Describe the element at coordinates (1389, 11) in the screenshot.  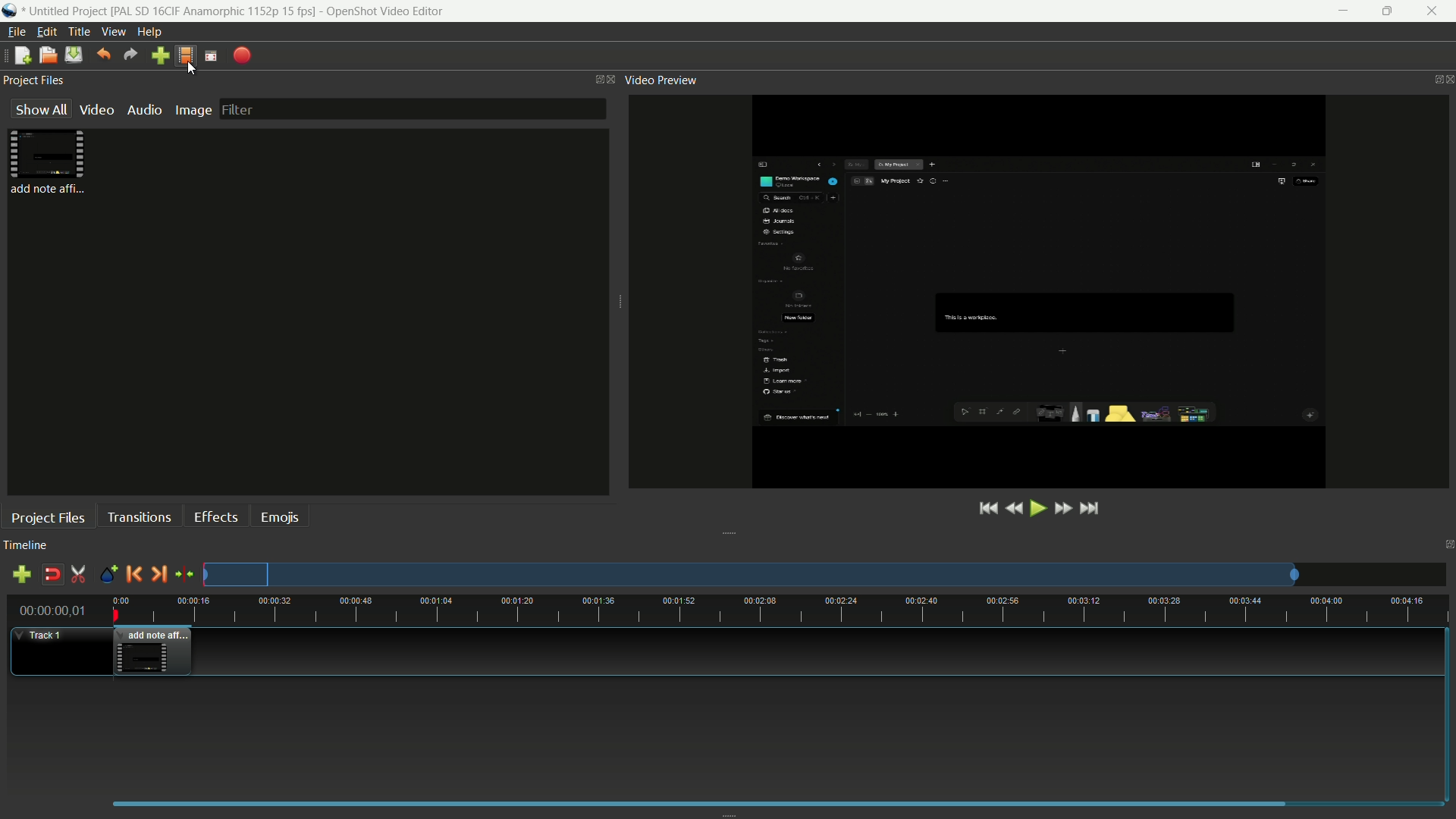
I see `maximize` at that location.